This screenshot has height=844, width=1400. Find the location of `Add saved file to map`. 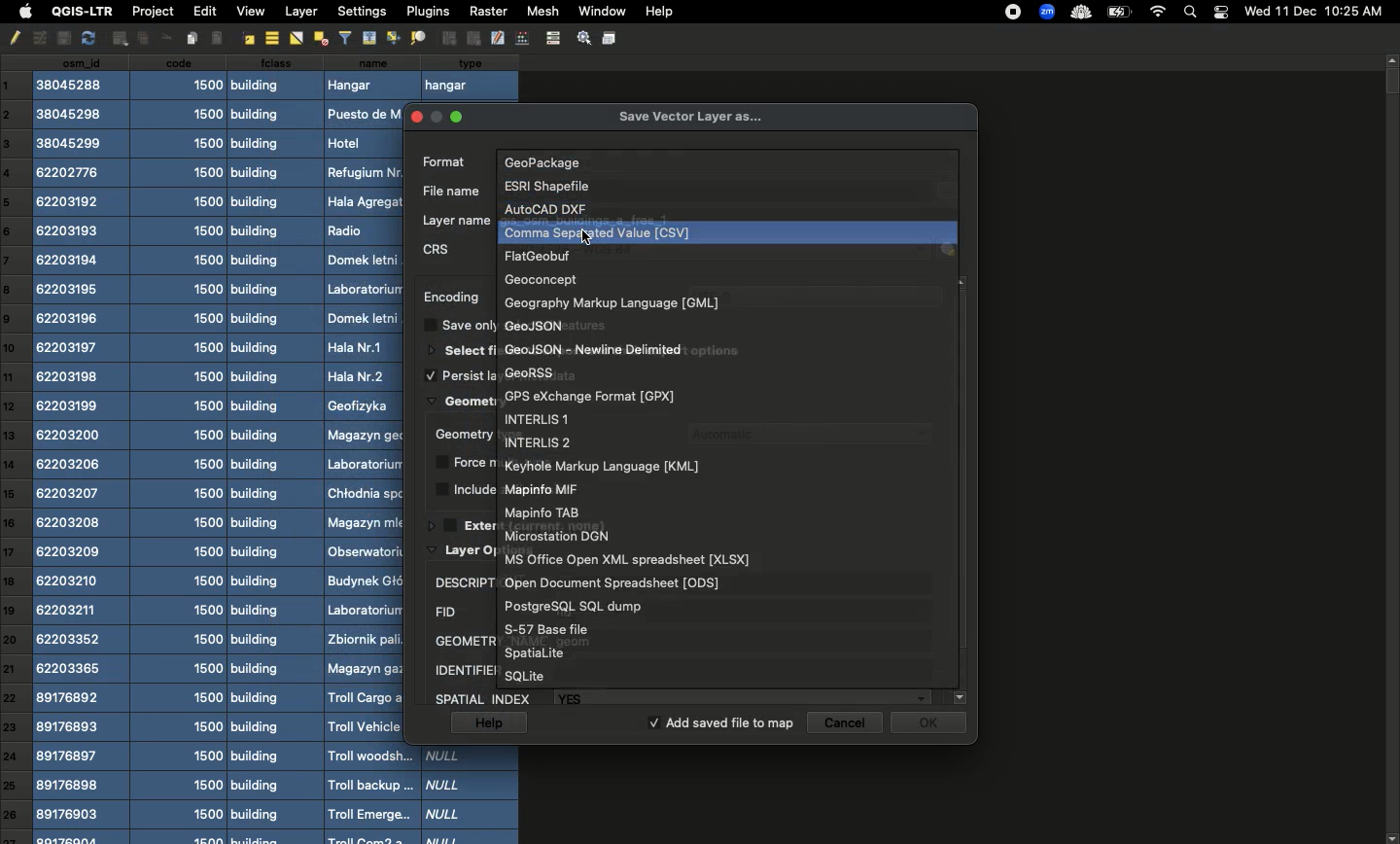

Add saved file to map is located at coordinates (722, 724).